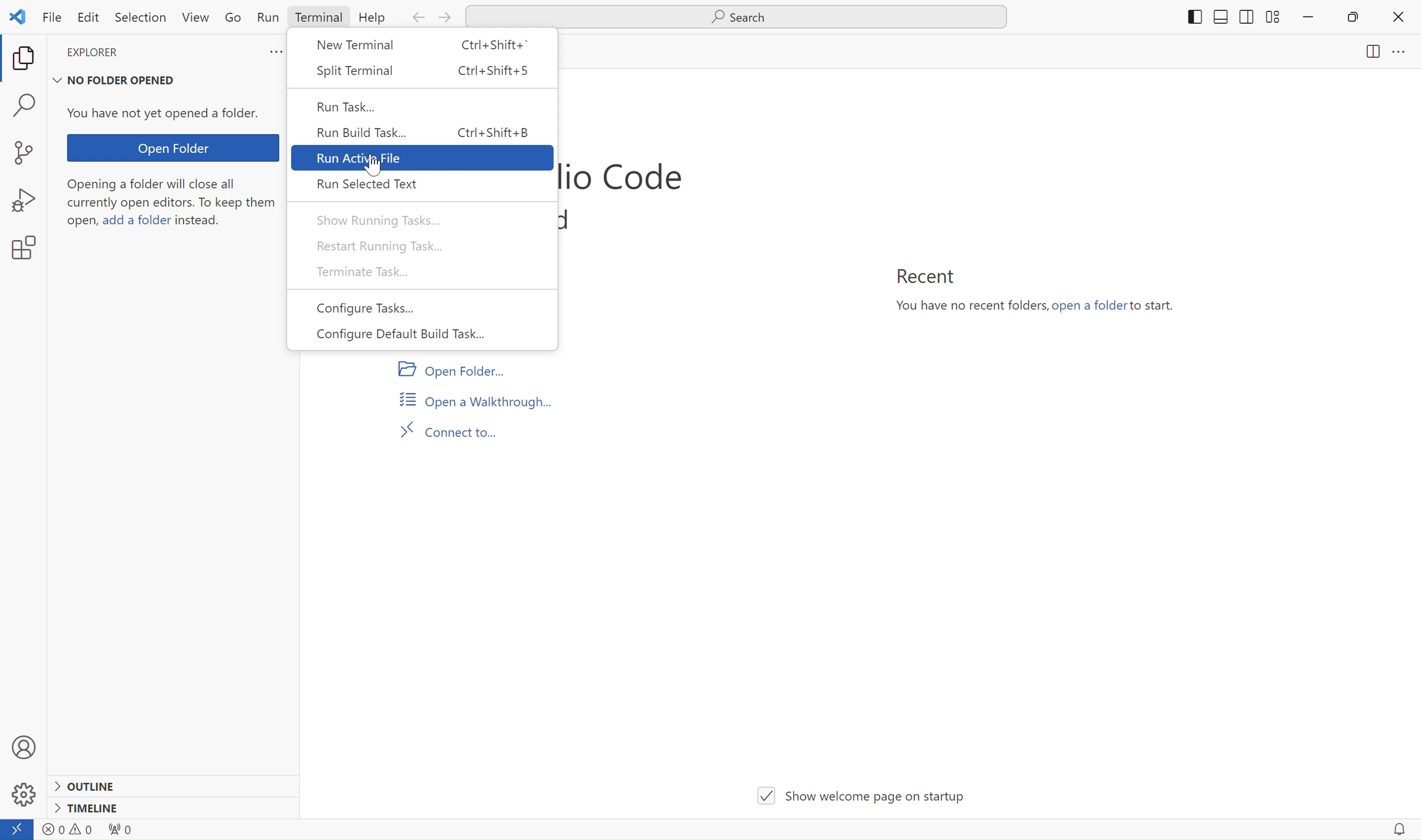 Image resolution: width=1421 pixels, height=840 pixels. I want to click on minimize, so click(1307, 18).